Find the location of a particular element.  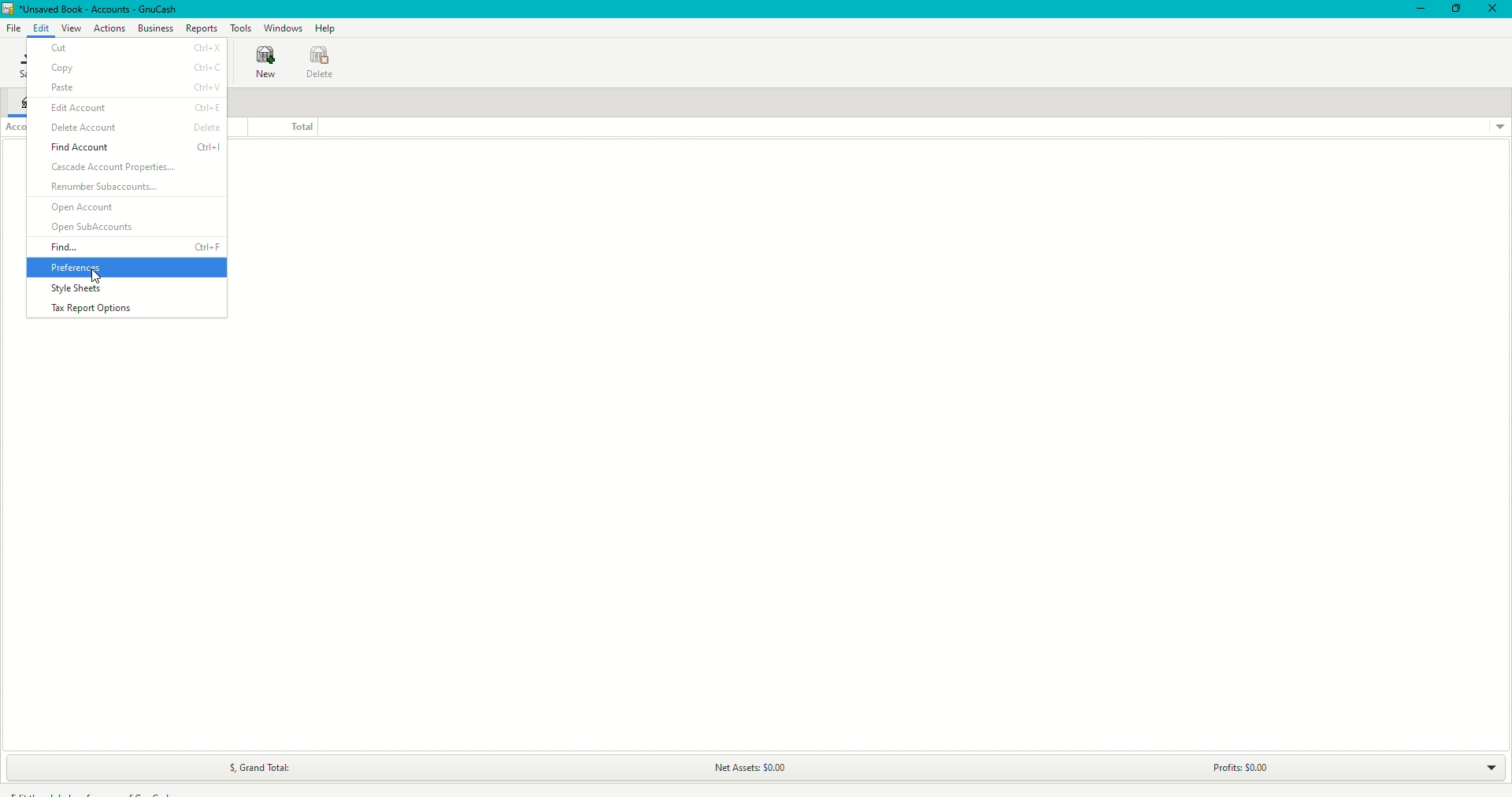

Net Assets is located at coordinates (747, 769).